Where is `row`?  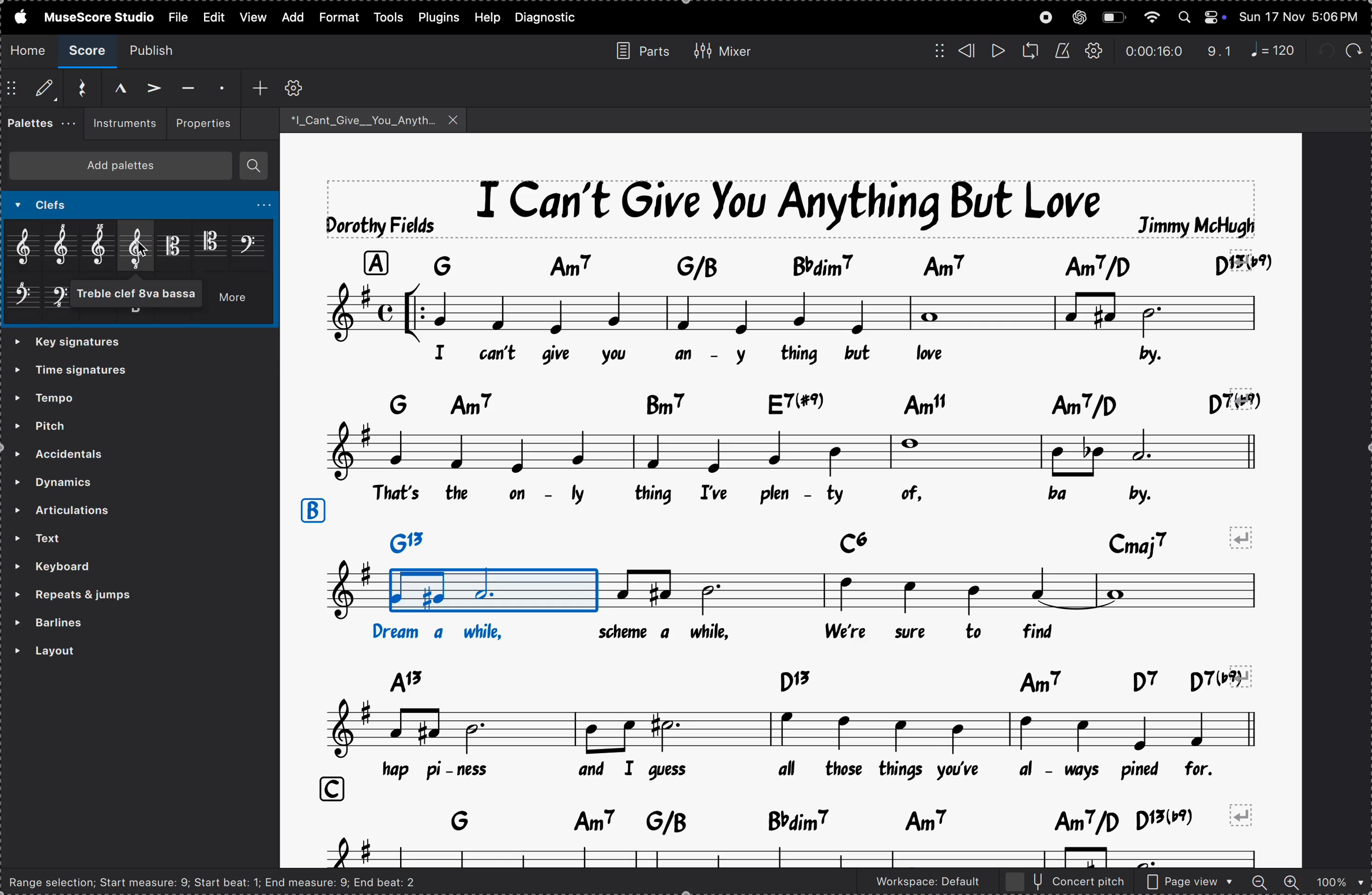 row is located at coordinates (311, 511).